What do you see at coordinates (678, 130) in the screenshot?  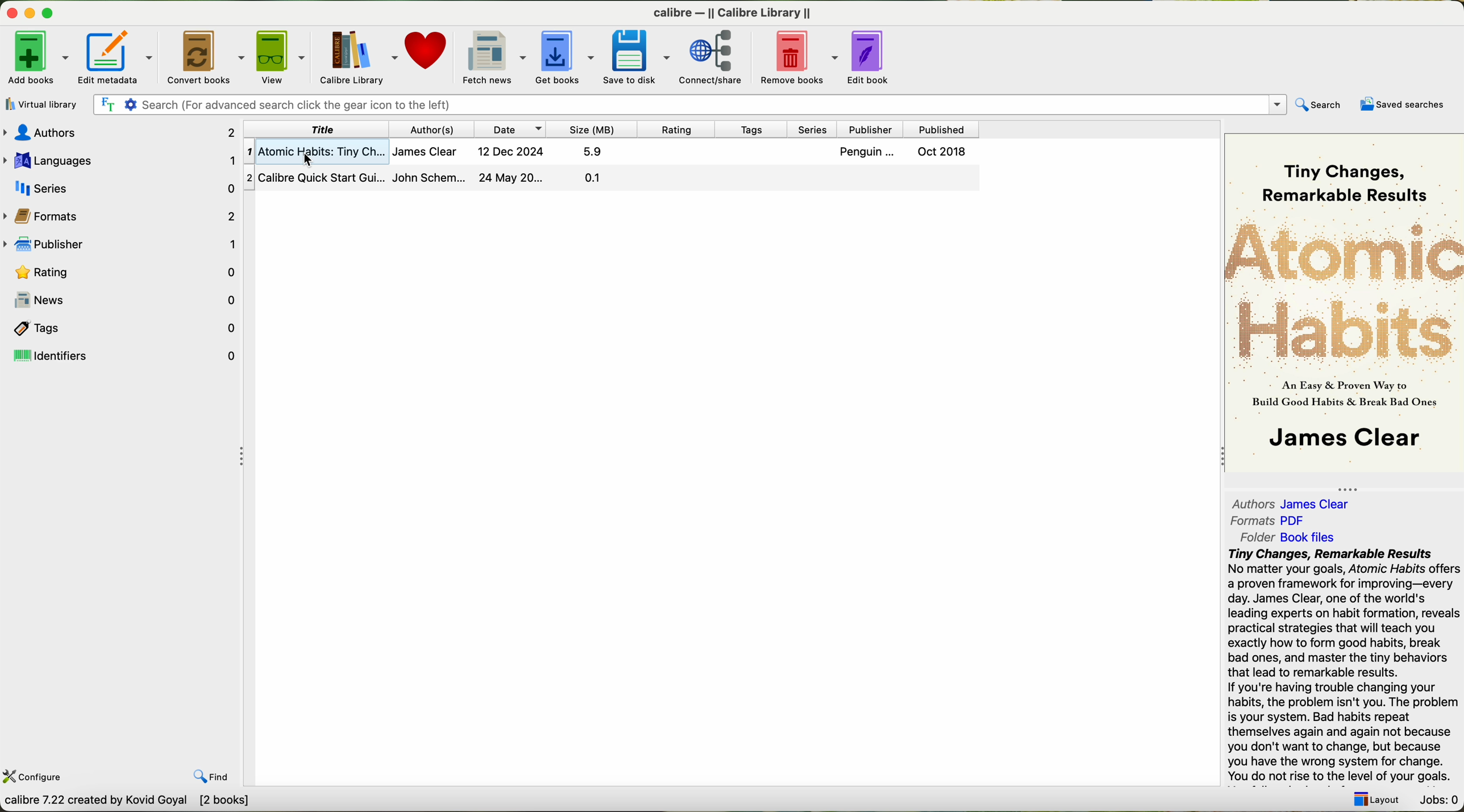 I see `rating` at bounding box center [678, 130].